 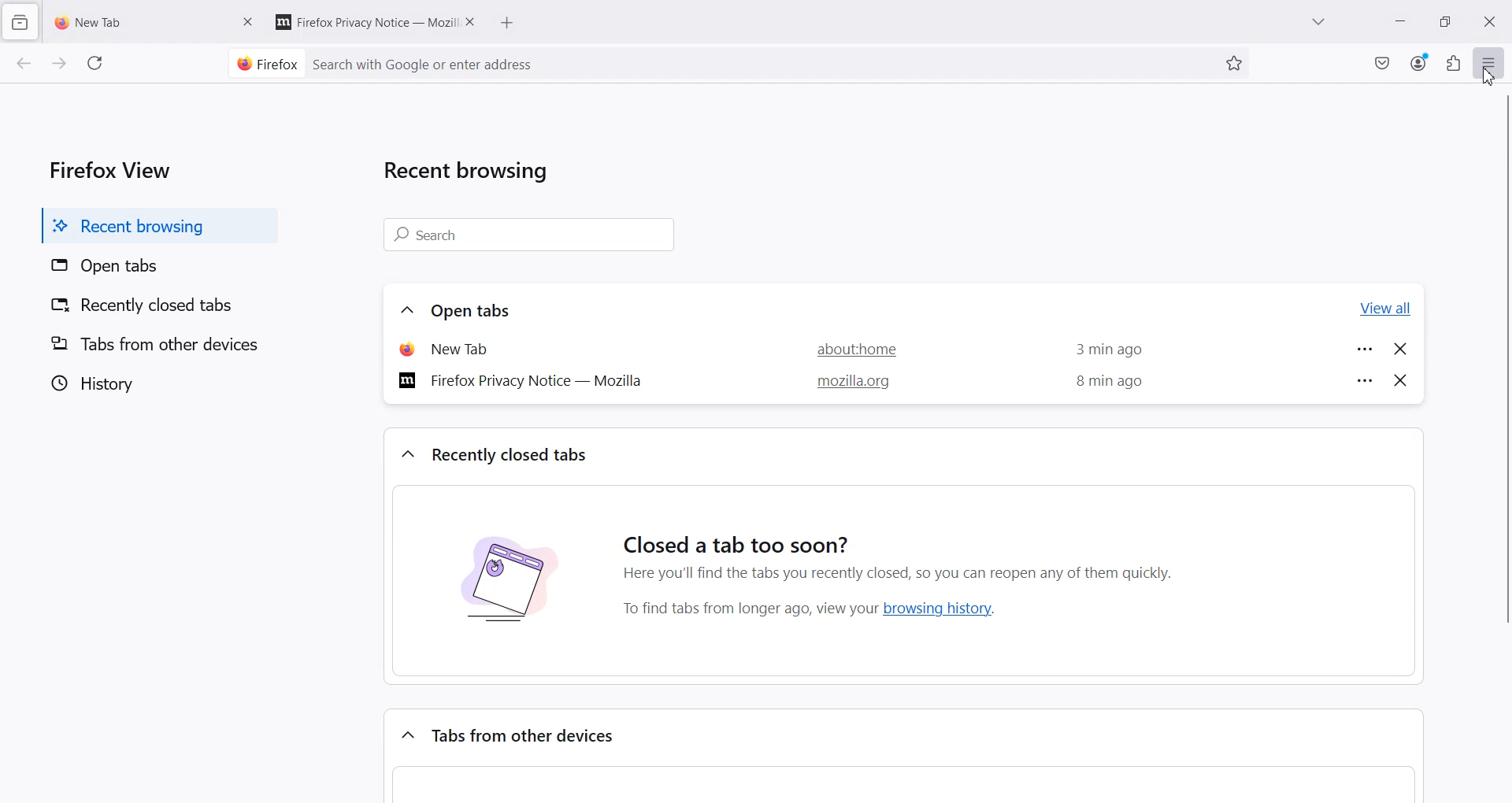 I want to click on Minimize, so click(x=1401, y=21).